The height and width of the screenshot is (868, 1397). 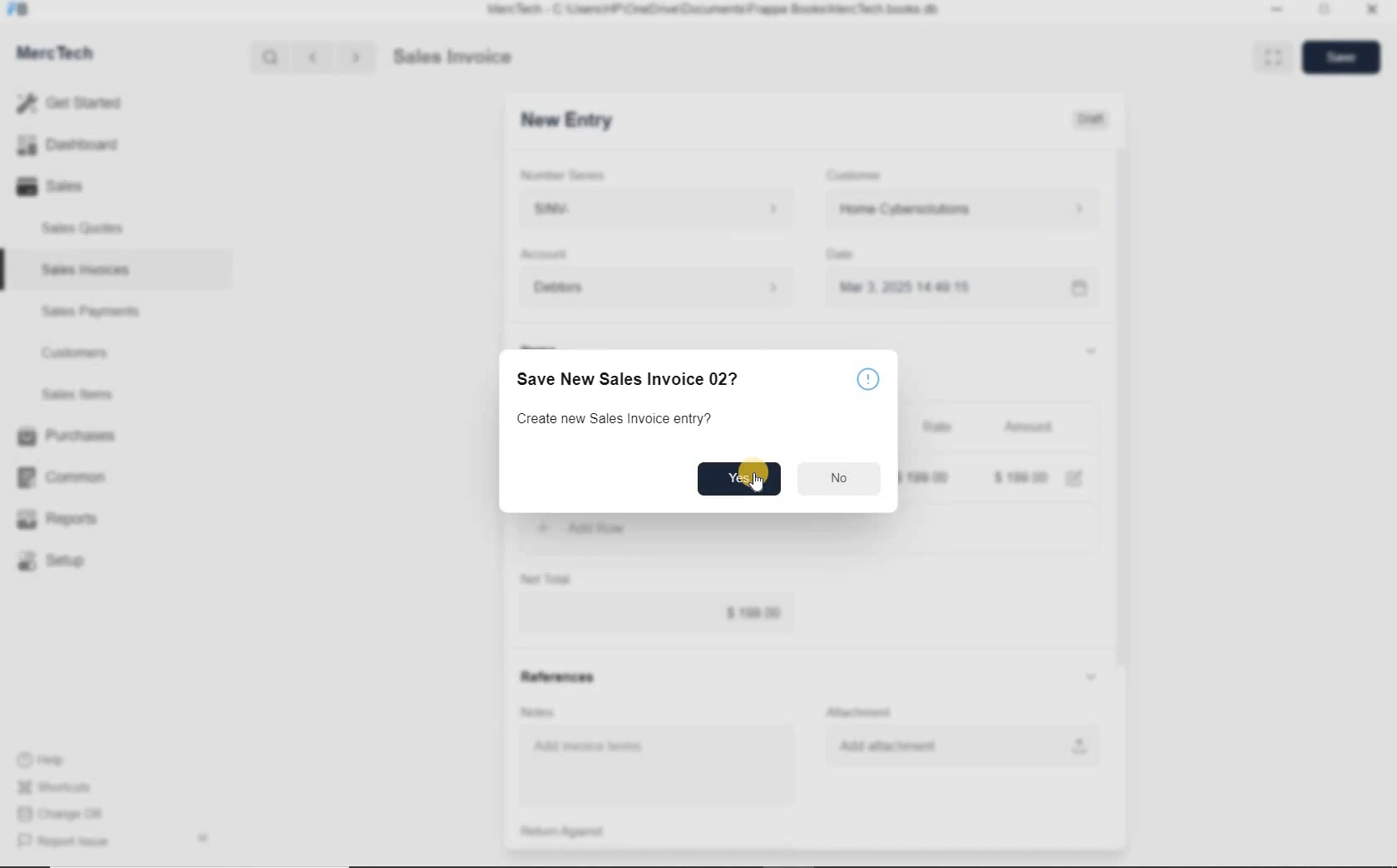 What do you see at coordinates (660, 767) in the screenshot?
I see `Add invoice terms` at bounding box center [660, 767].